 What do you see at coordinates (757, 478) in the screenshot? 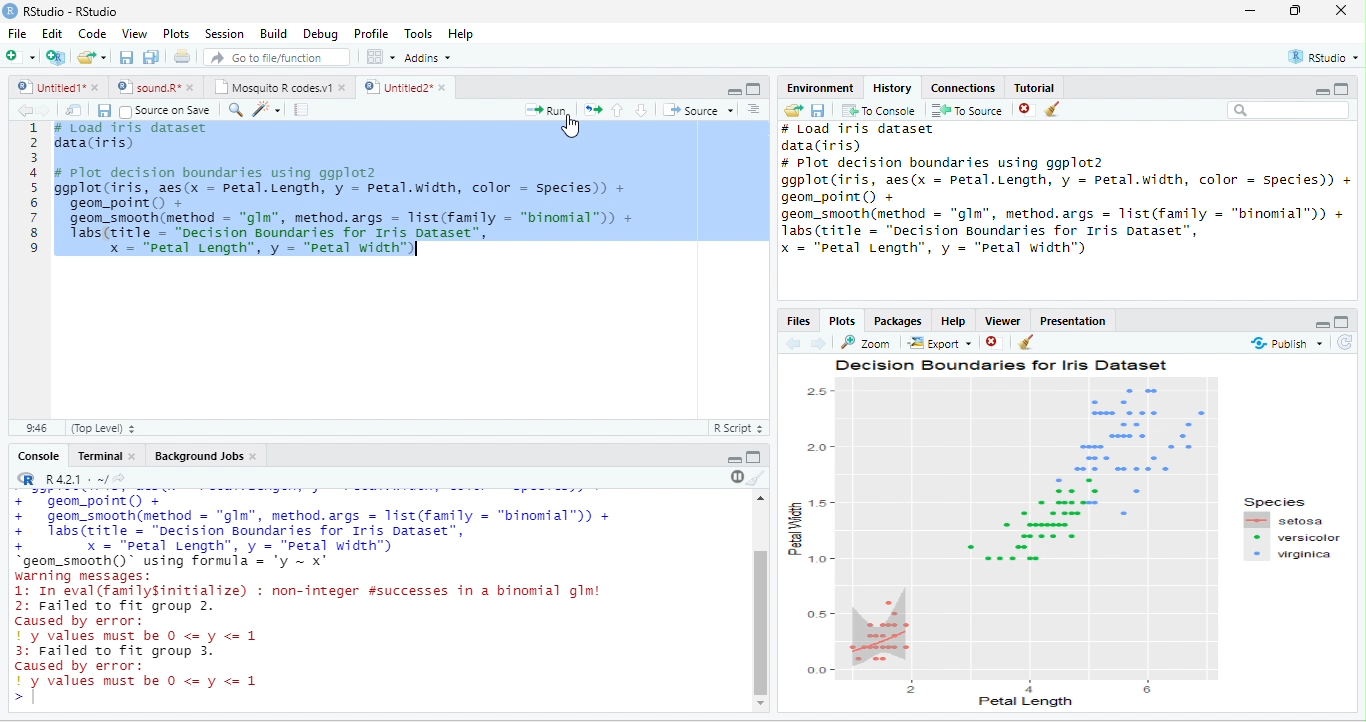
I see `clear` at bounding box center [757, 478].